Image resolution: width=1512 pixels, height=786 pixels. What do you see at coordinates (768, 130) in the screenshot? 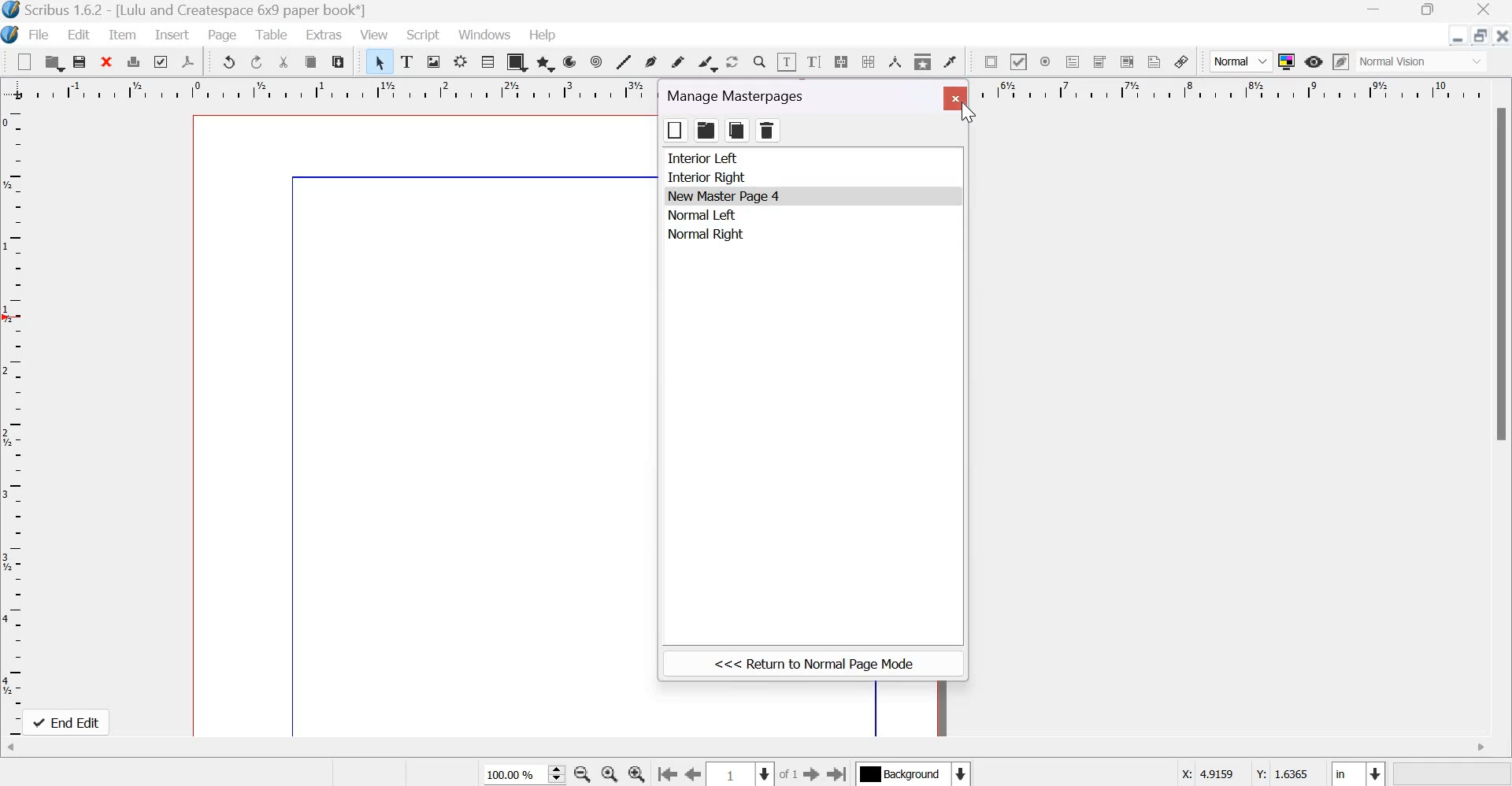
I see `delete` at bounding box center [768, 130].